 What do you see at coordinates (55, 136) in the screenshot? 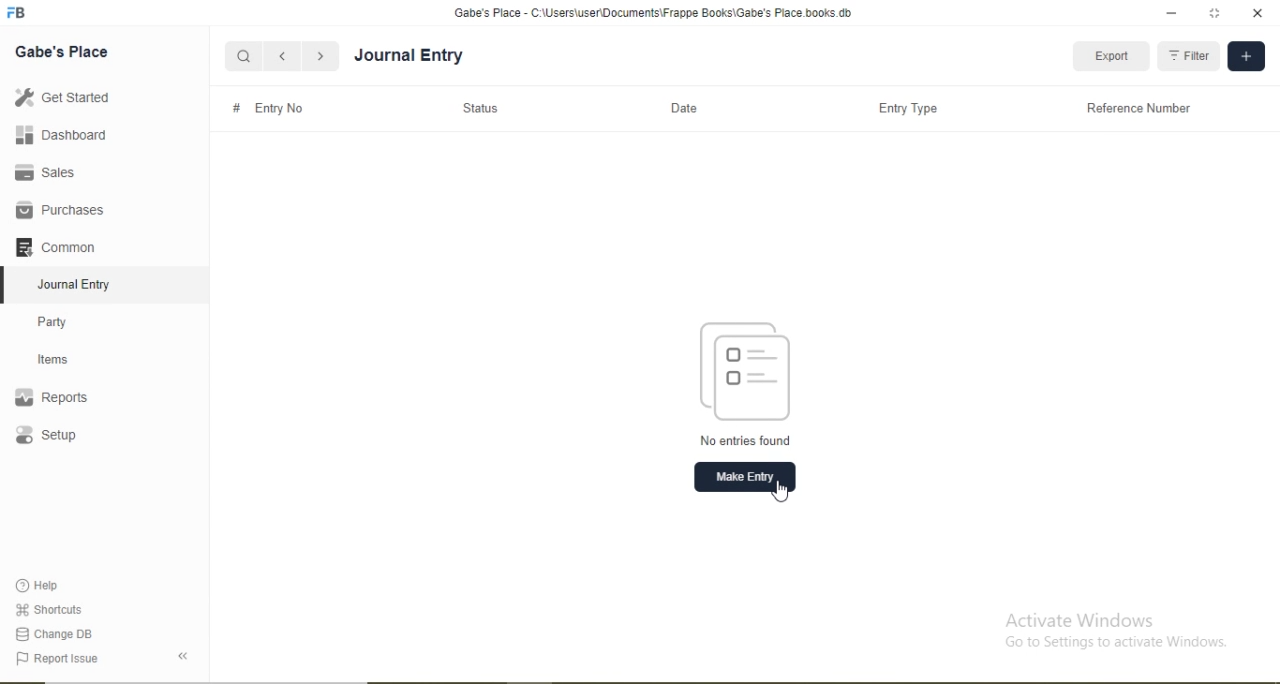
I see `Dashboard` at bounding box center [55, 136].